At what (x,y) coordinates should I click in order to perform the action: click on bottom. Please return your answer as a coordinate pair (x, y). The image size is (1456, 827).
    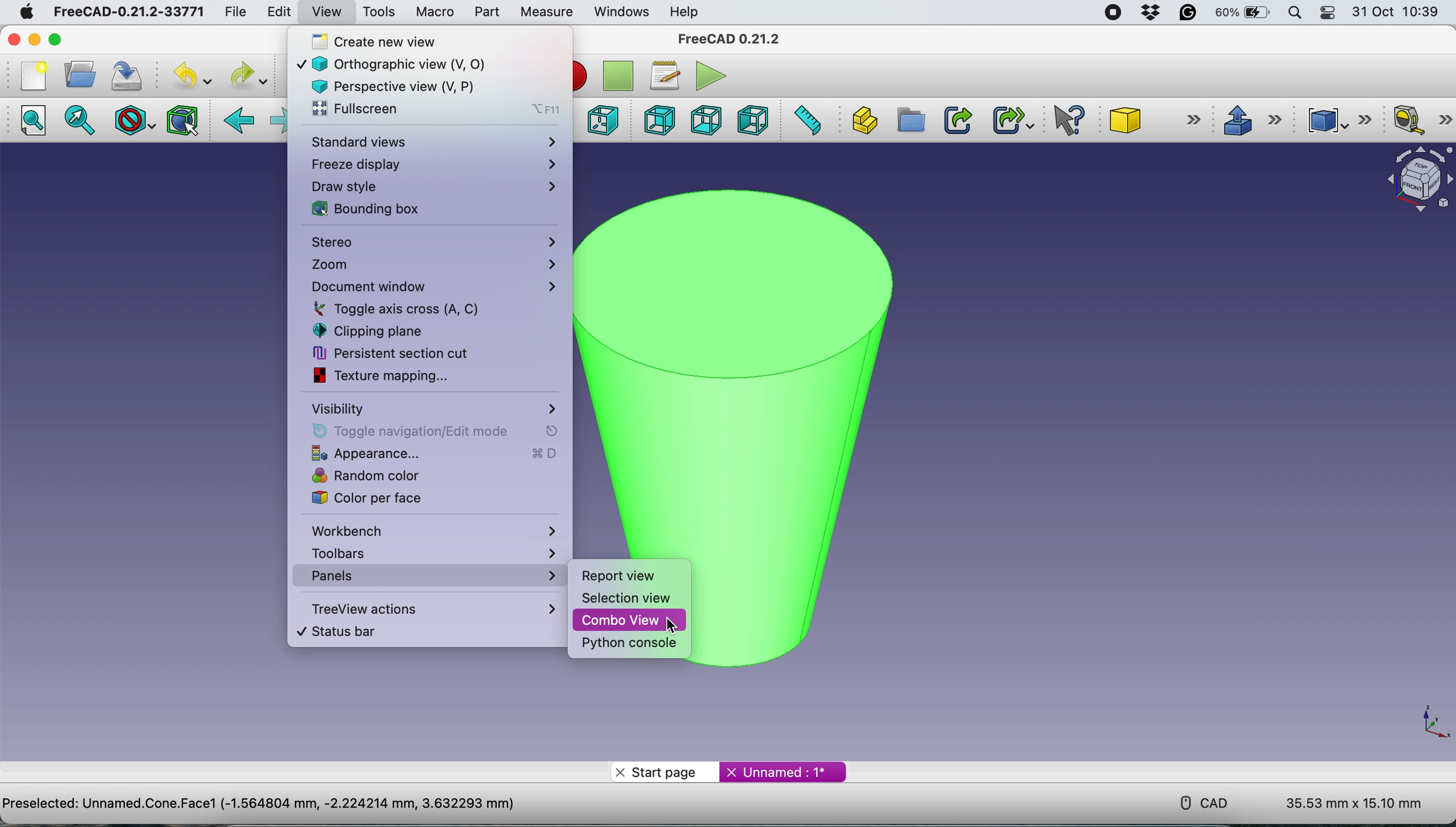
    Looking at the image, I should click on (703, 119).